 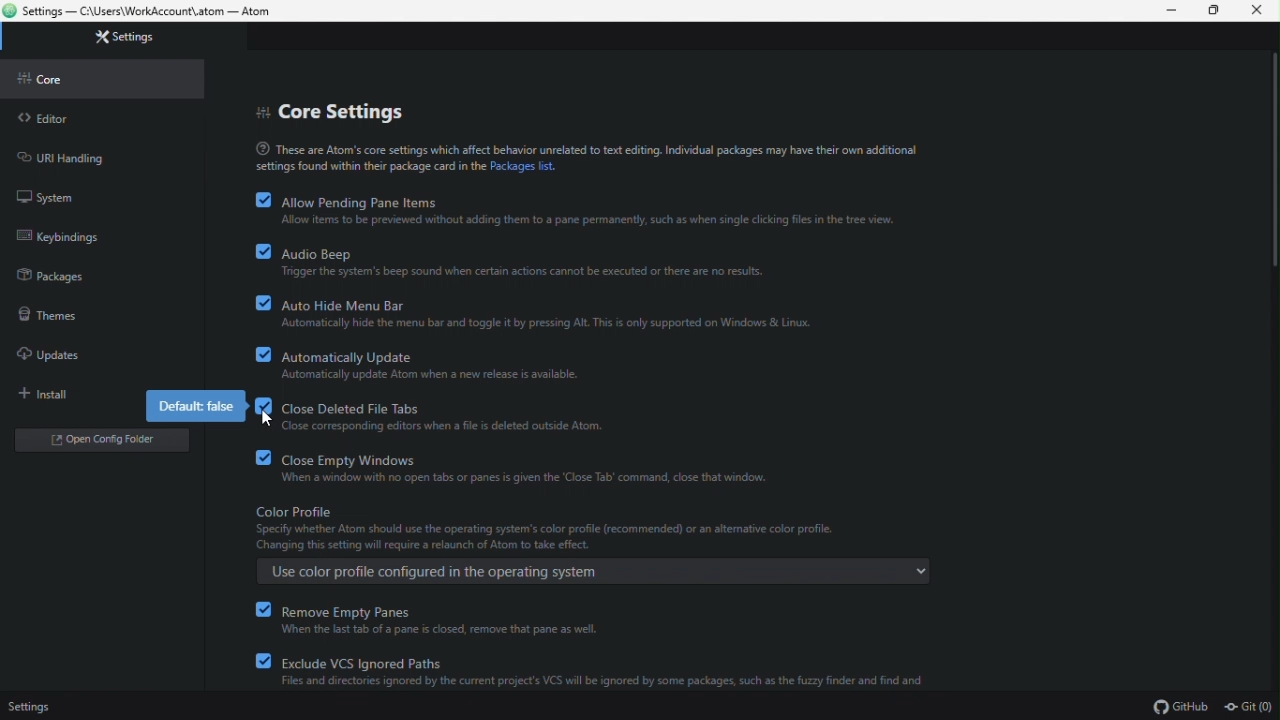 I want to click on checkbox, so click(x=261, y=357).